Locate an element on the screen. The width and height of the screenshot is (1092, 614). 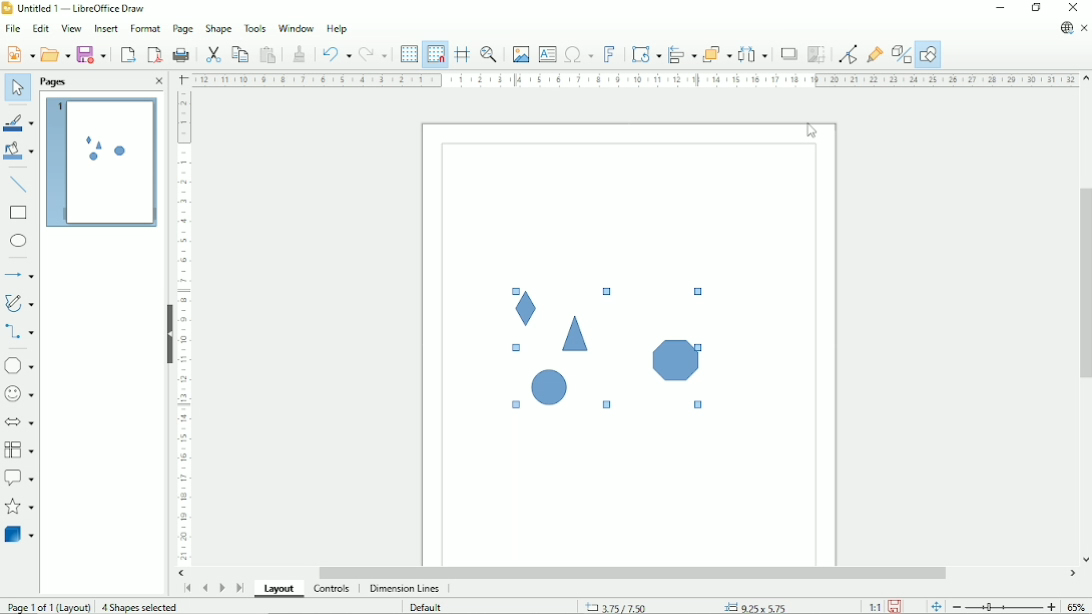
Lines and arrows is located at coordinates (21, 276).